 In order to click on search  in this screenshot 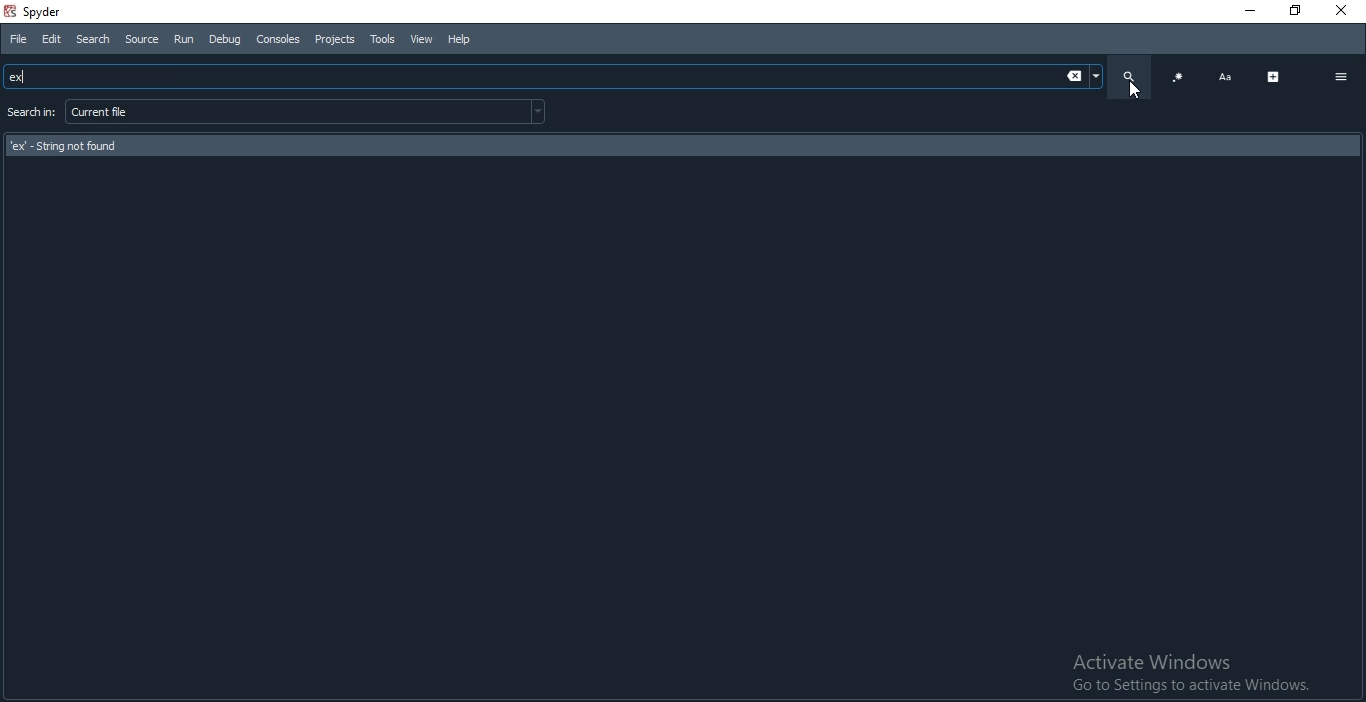, I will do `click(1125, 76)`.